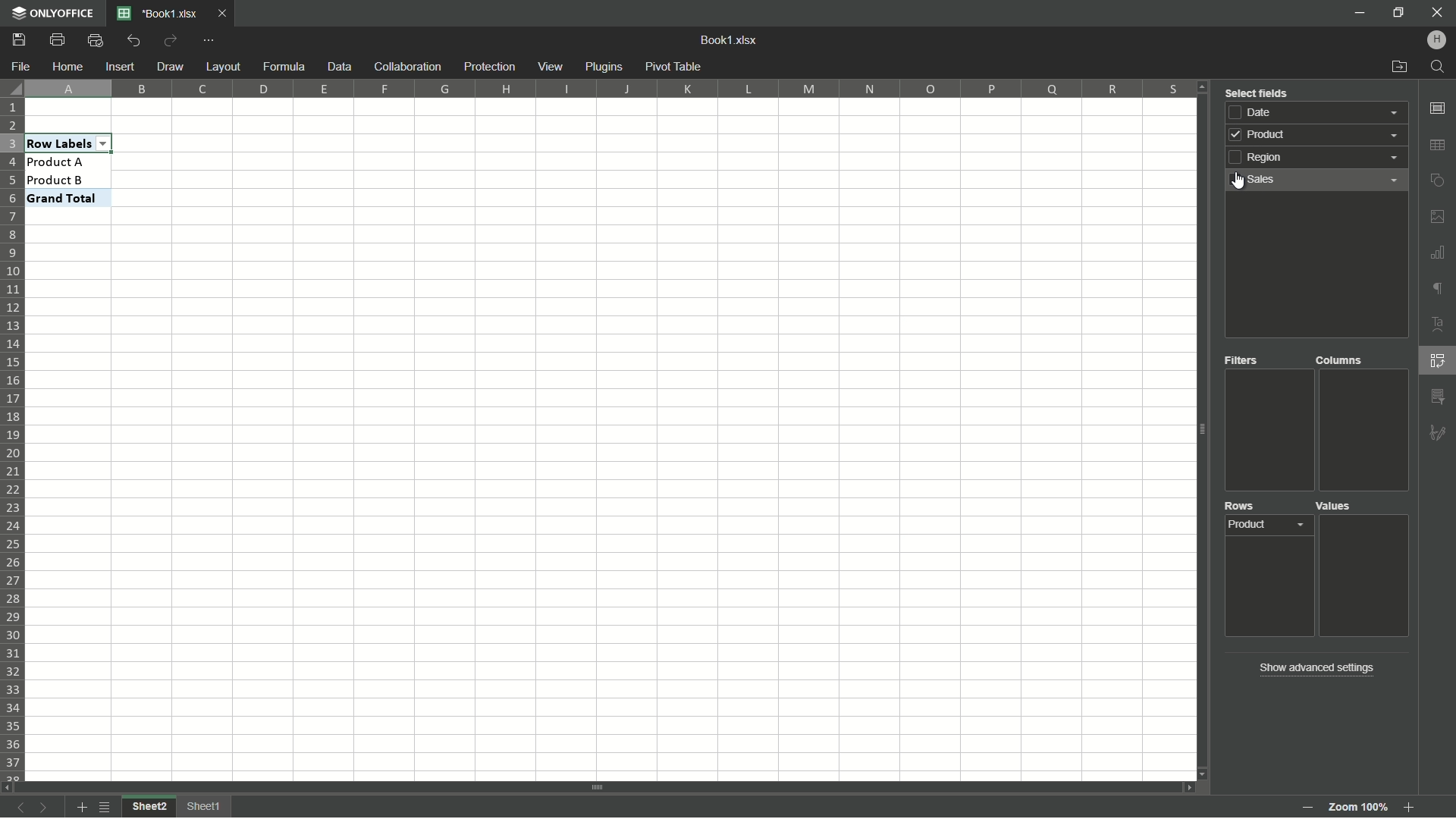 The height and width of the screenshot is (819, 1456). Describe the element at coordinates (1438, 290) in the screenshot. I see `format marks` at that location.